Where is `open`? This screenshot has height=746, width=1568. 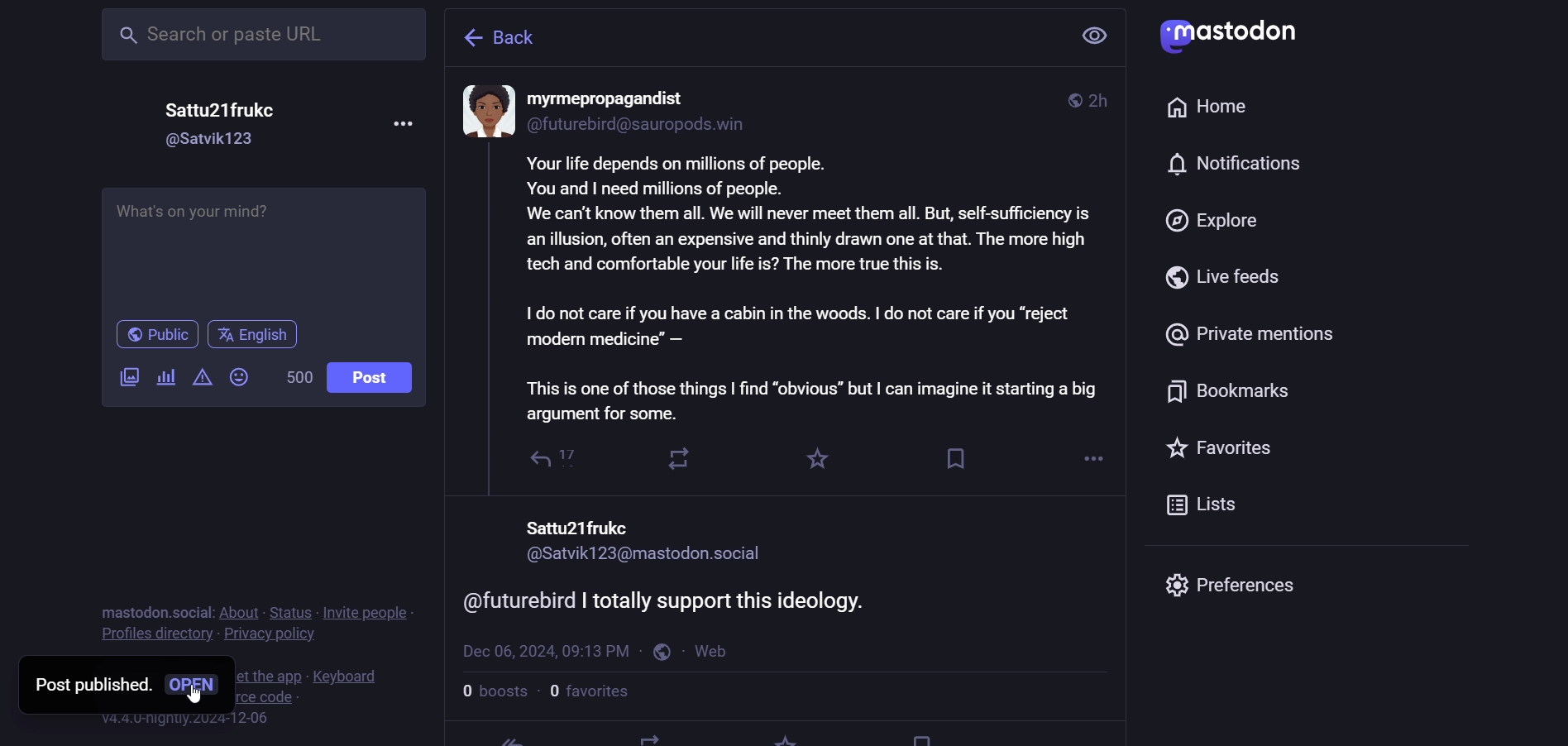
open is located at coordinates (194, 686).